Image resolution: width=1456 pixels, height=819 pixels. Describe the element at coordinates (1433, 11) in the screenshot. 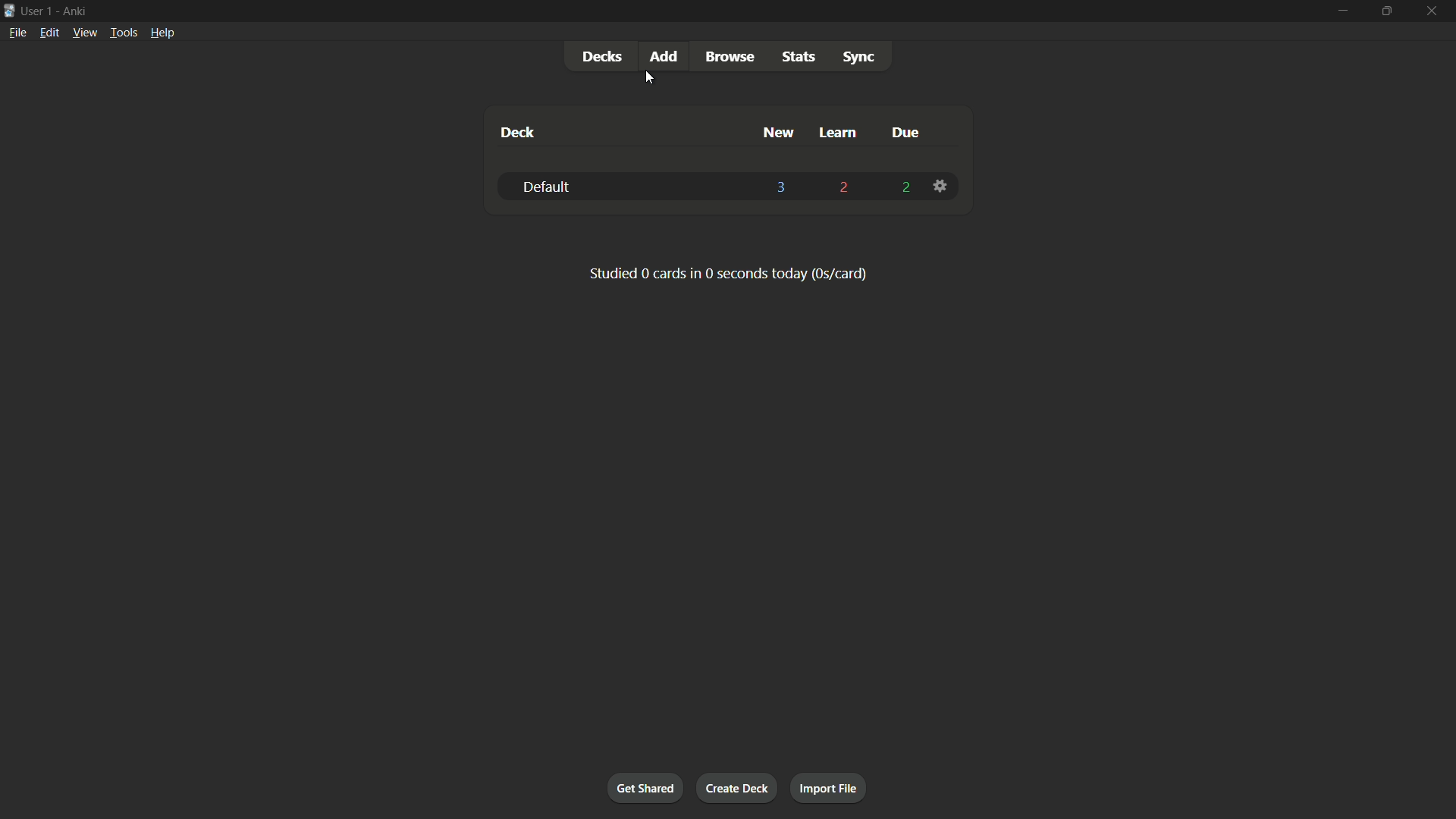

I see `close app` at that location.